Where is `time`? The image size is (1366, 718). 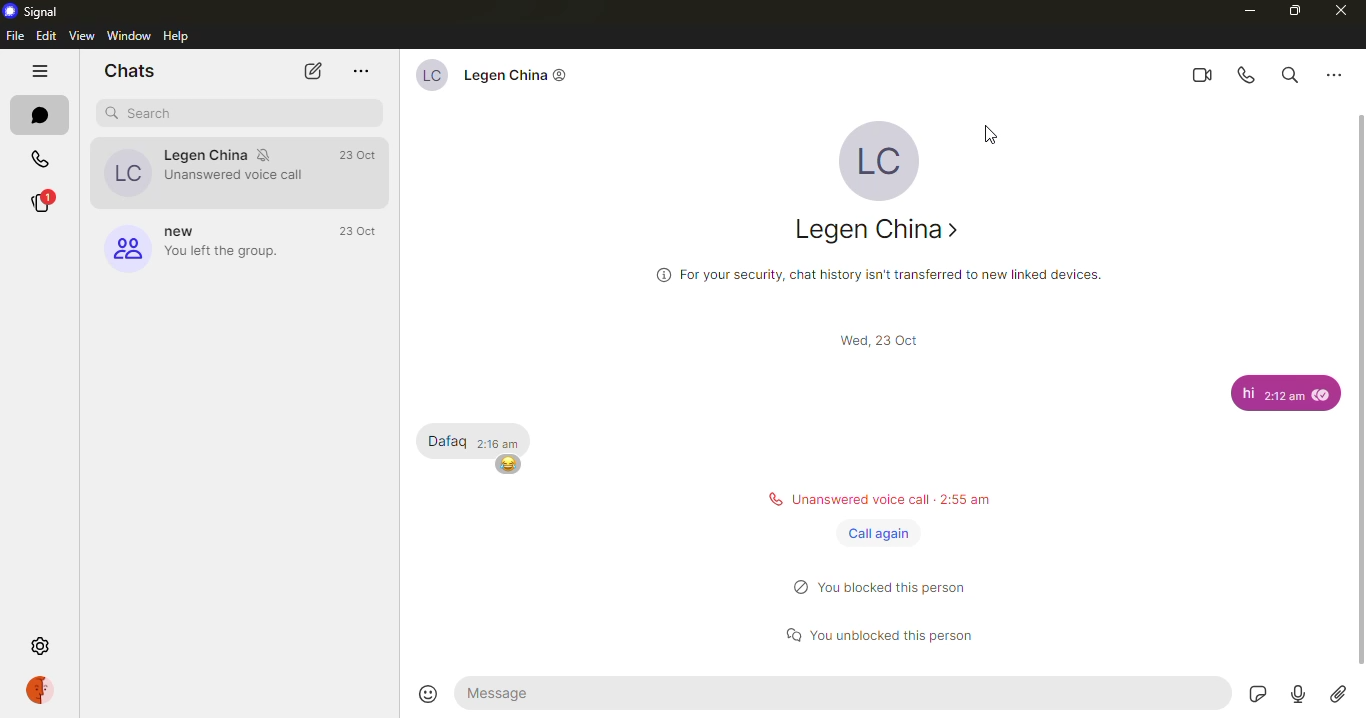
time is located at coordinates (502, 443).